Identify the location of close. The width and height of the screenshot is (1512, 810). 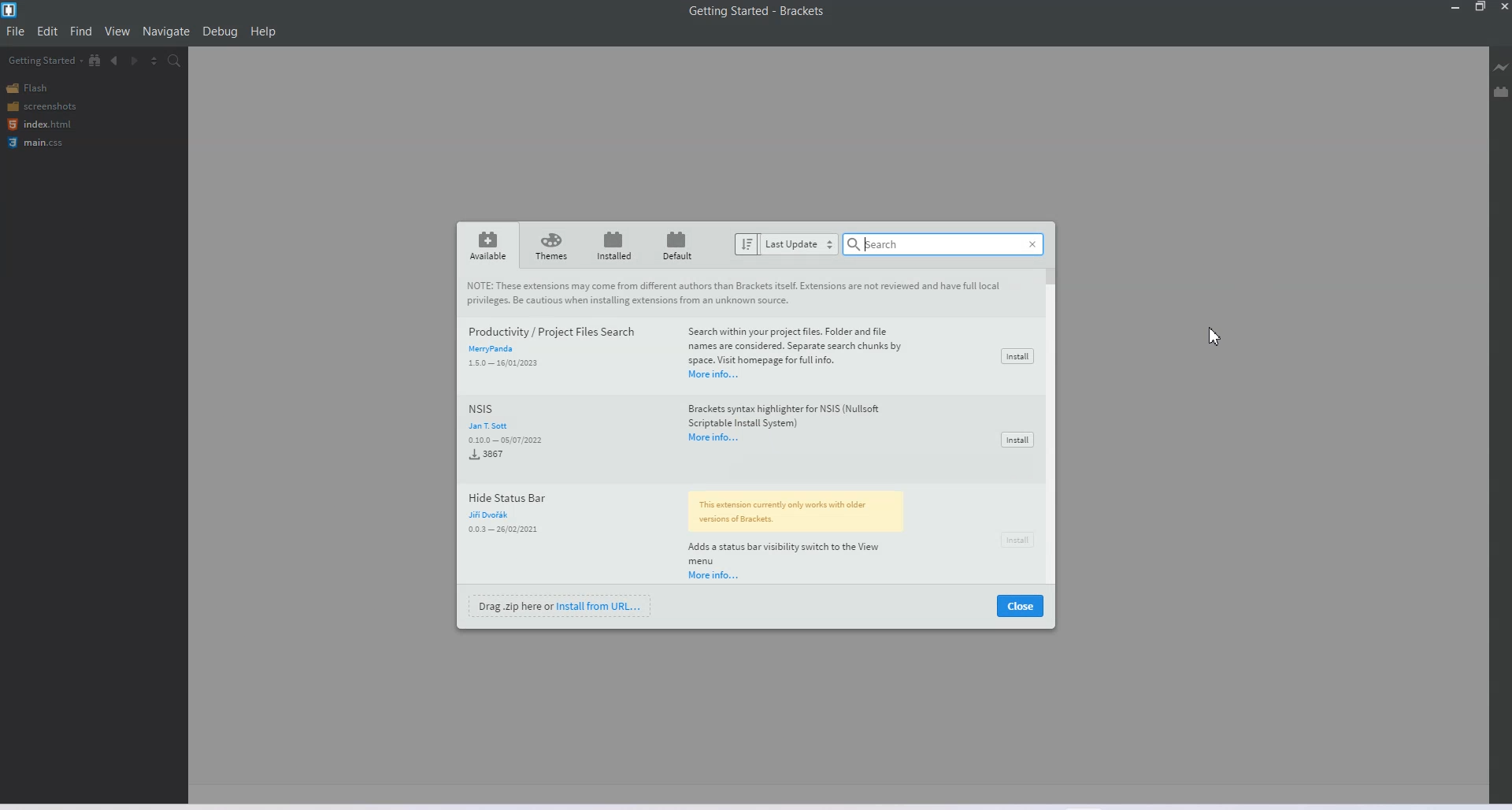
(1021, 607).